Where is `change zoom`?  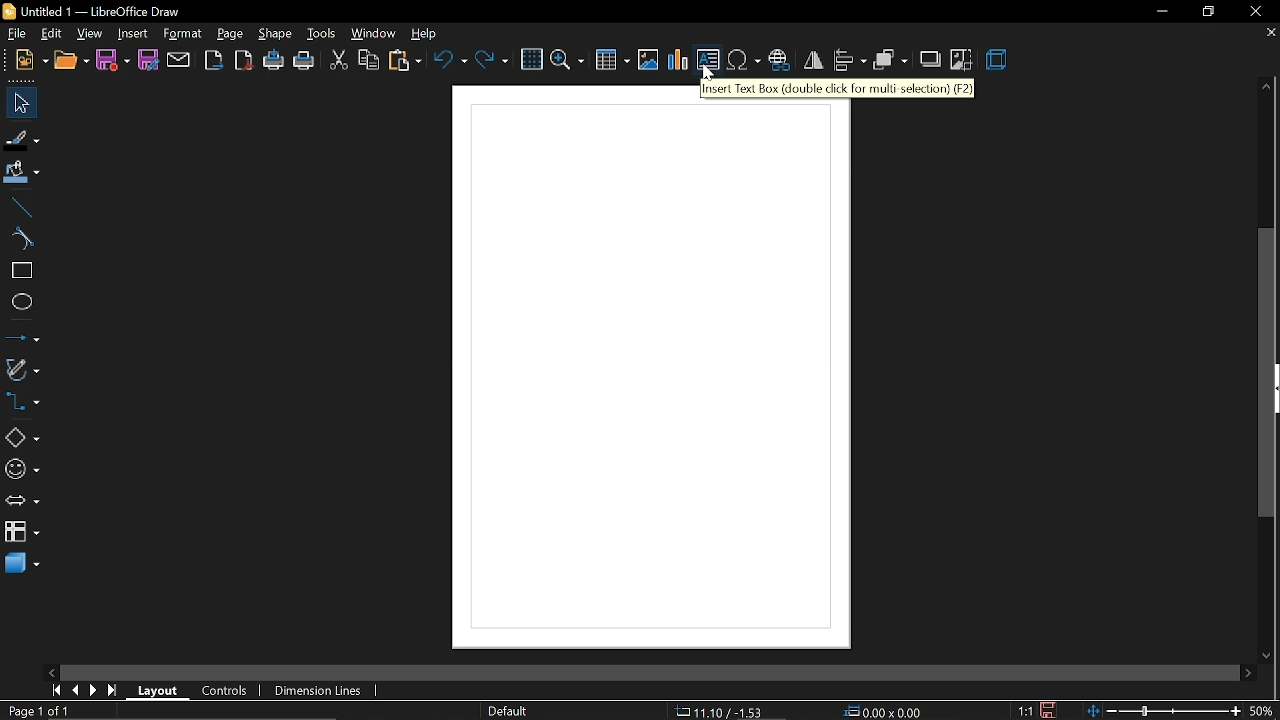 change zoom is located at coordinates (1166, 711).